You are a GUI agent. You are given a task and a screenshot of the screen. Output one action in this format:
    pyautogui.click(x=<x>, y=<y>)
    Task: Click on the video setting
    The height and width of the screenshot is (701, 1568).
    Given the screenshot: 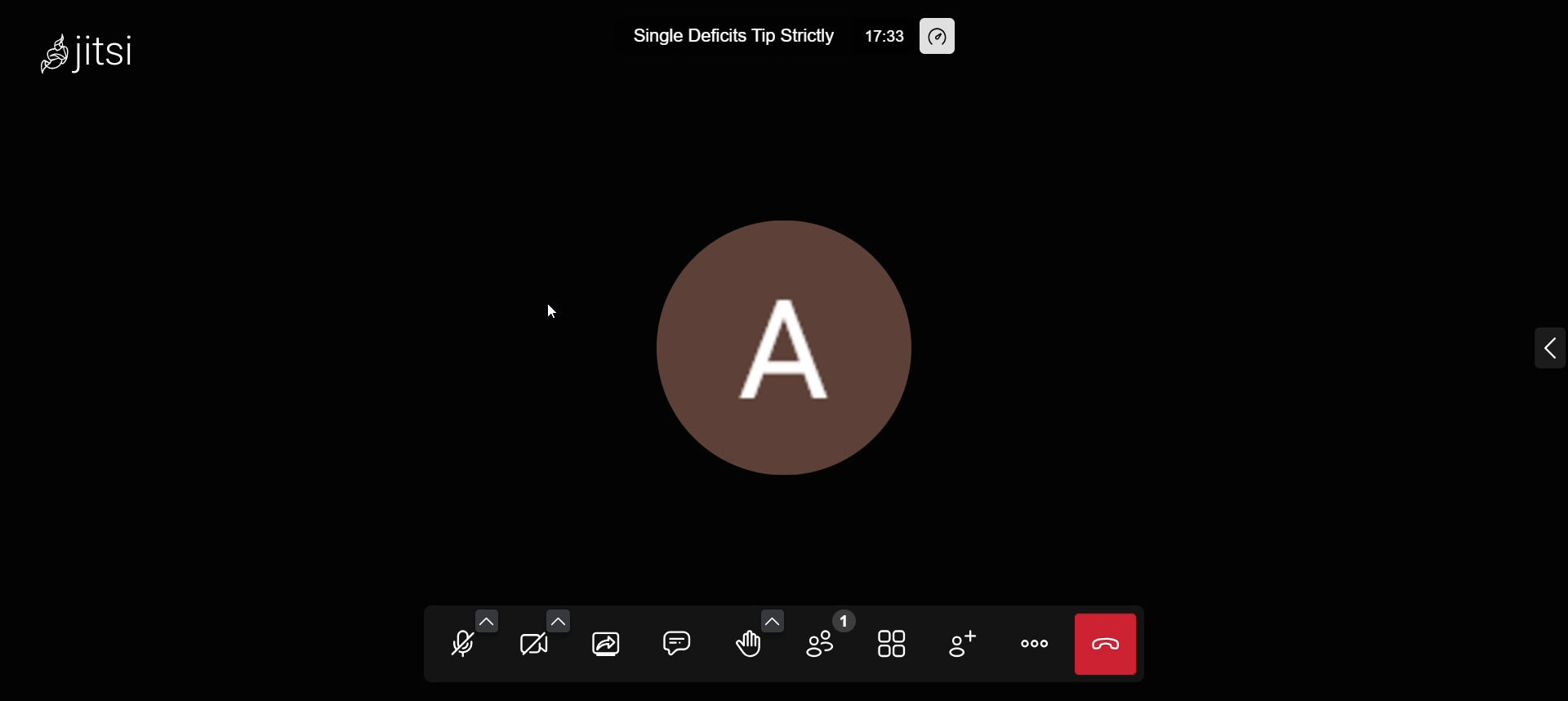 What is the action you would take?
    pyautogui.click(x=559, y=621)
    